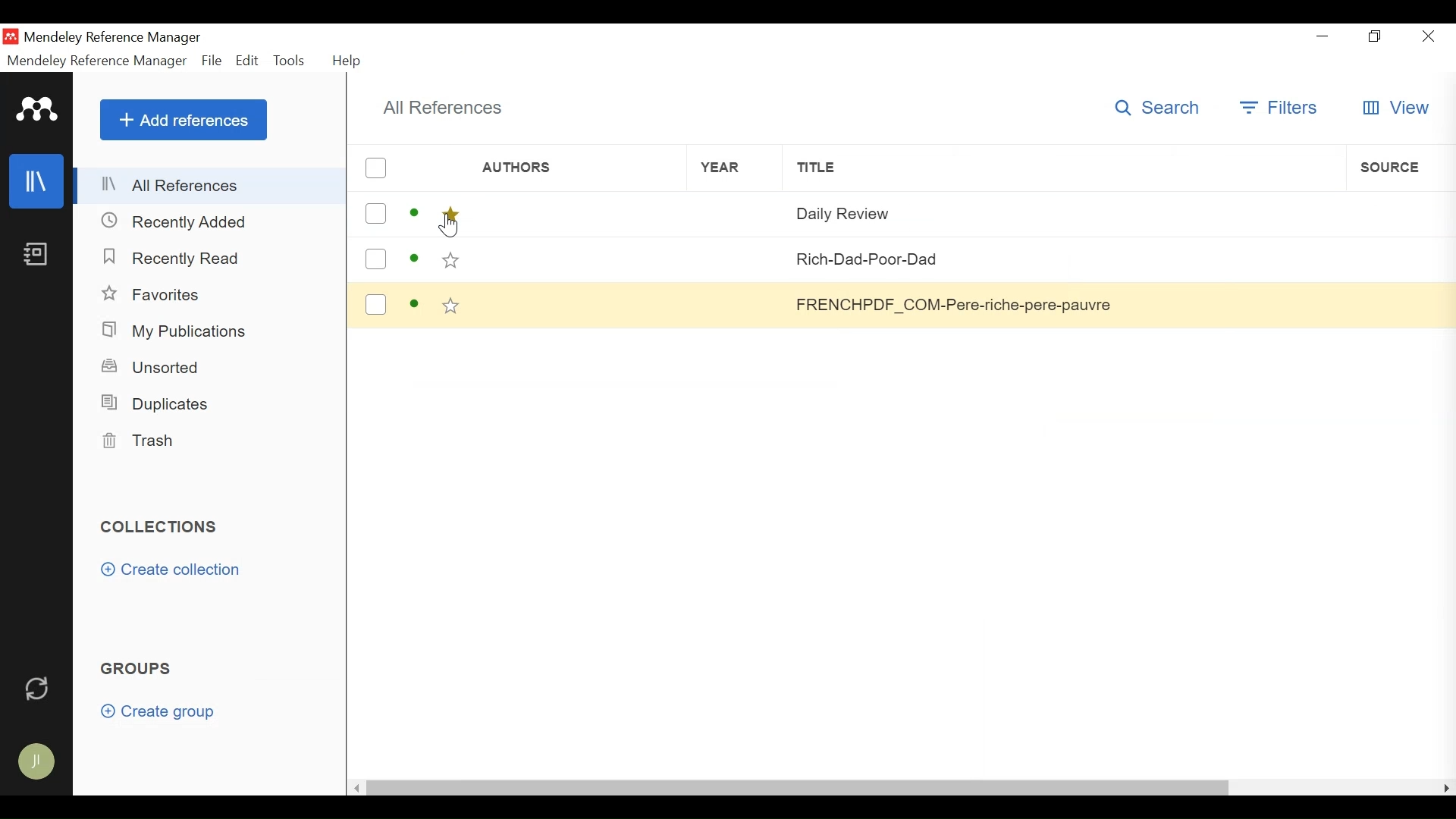 Image resolution: width=1456 pixels, height=819 pixels. Describe the element at coordinates (1282, 108) in the screenshot. I see `Filter` at that location.